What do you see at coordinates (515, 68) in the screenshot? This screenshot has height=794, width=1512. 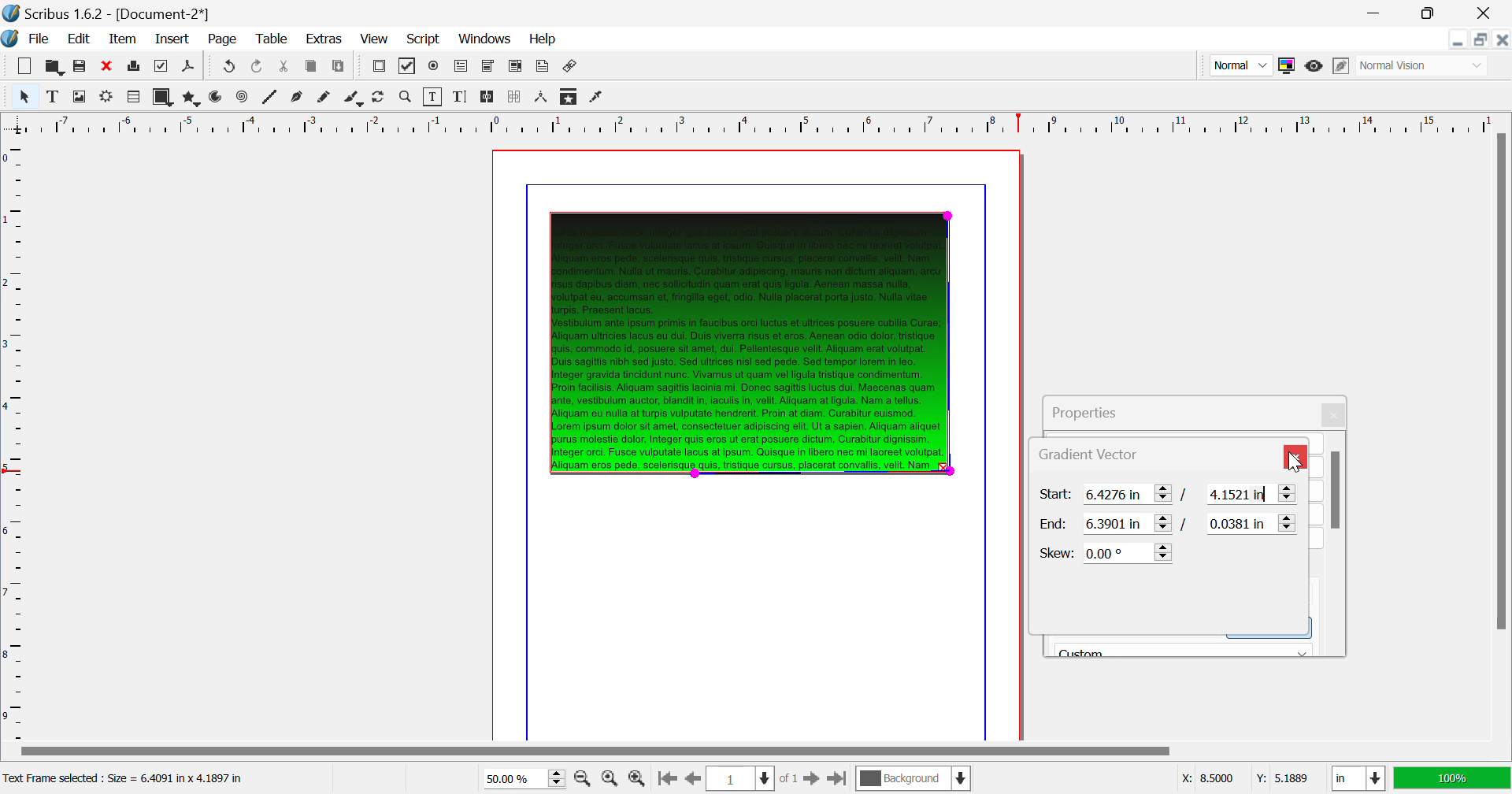 I see `Pdf List Box` at bounding box center [515, 68].